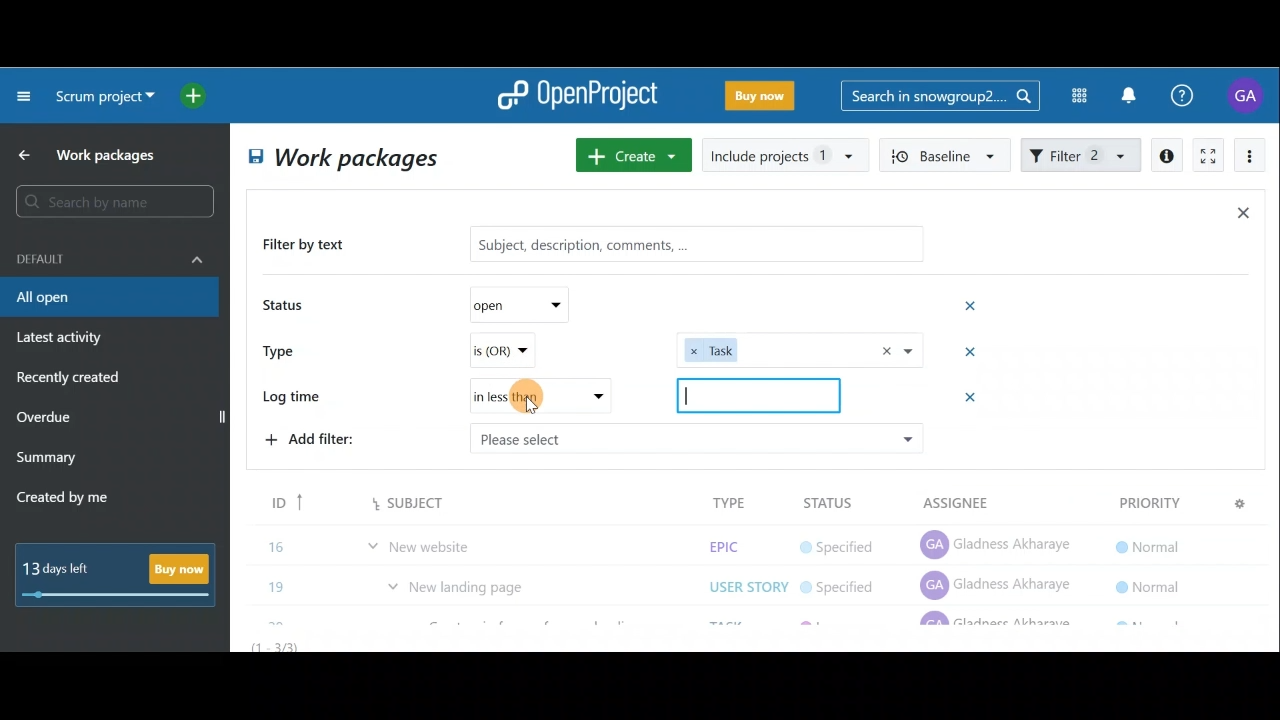  I want to click on Log, so click(510, 392).